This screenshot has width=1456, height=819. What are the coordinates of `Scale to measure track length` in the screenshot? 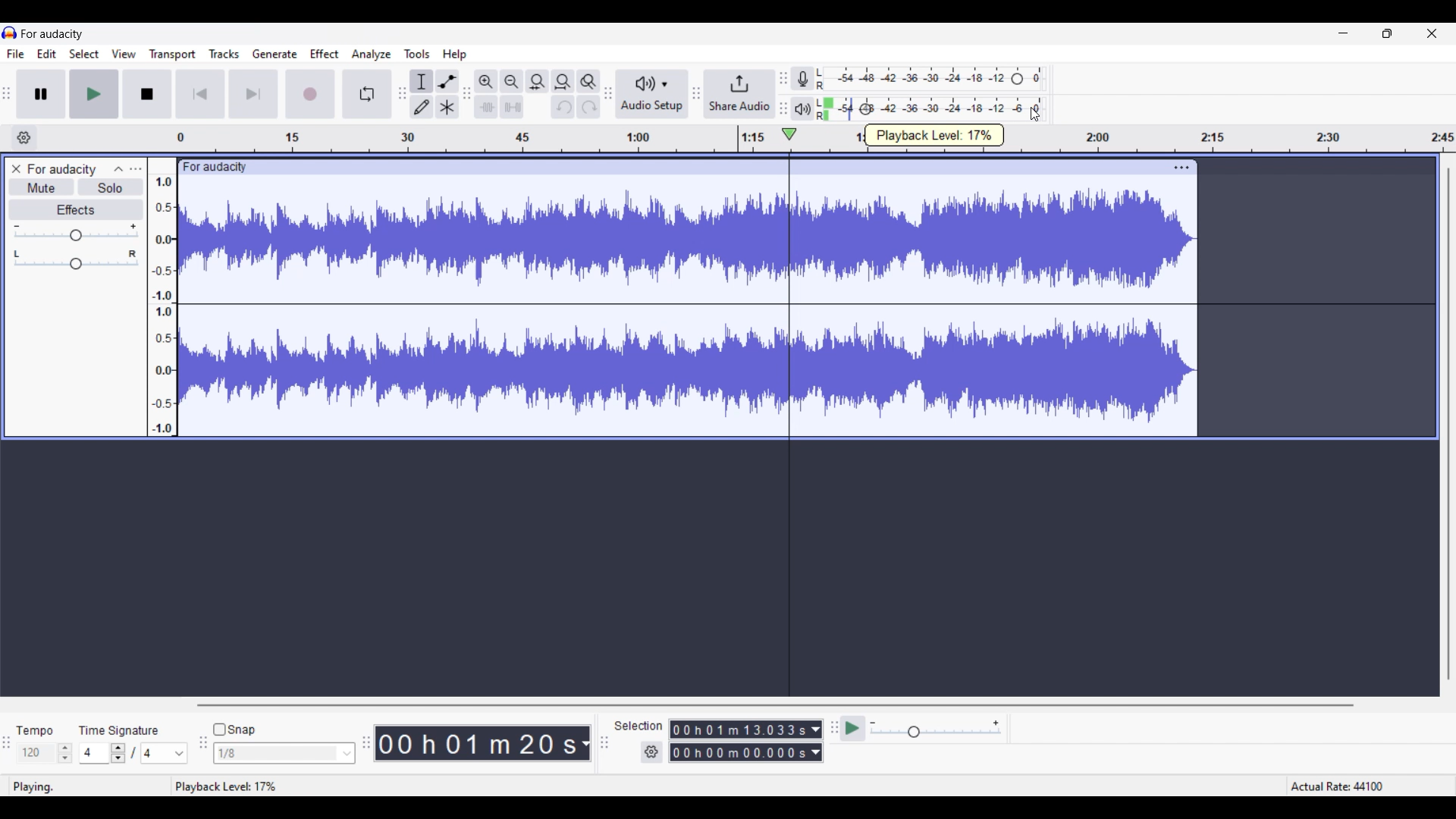 It's located at (447, 138).